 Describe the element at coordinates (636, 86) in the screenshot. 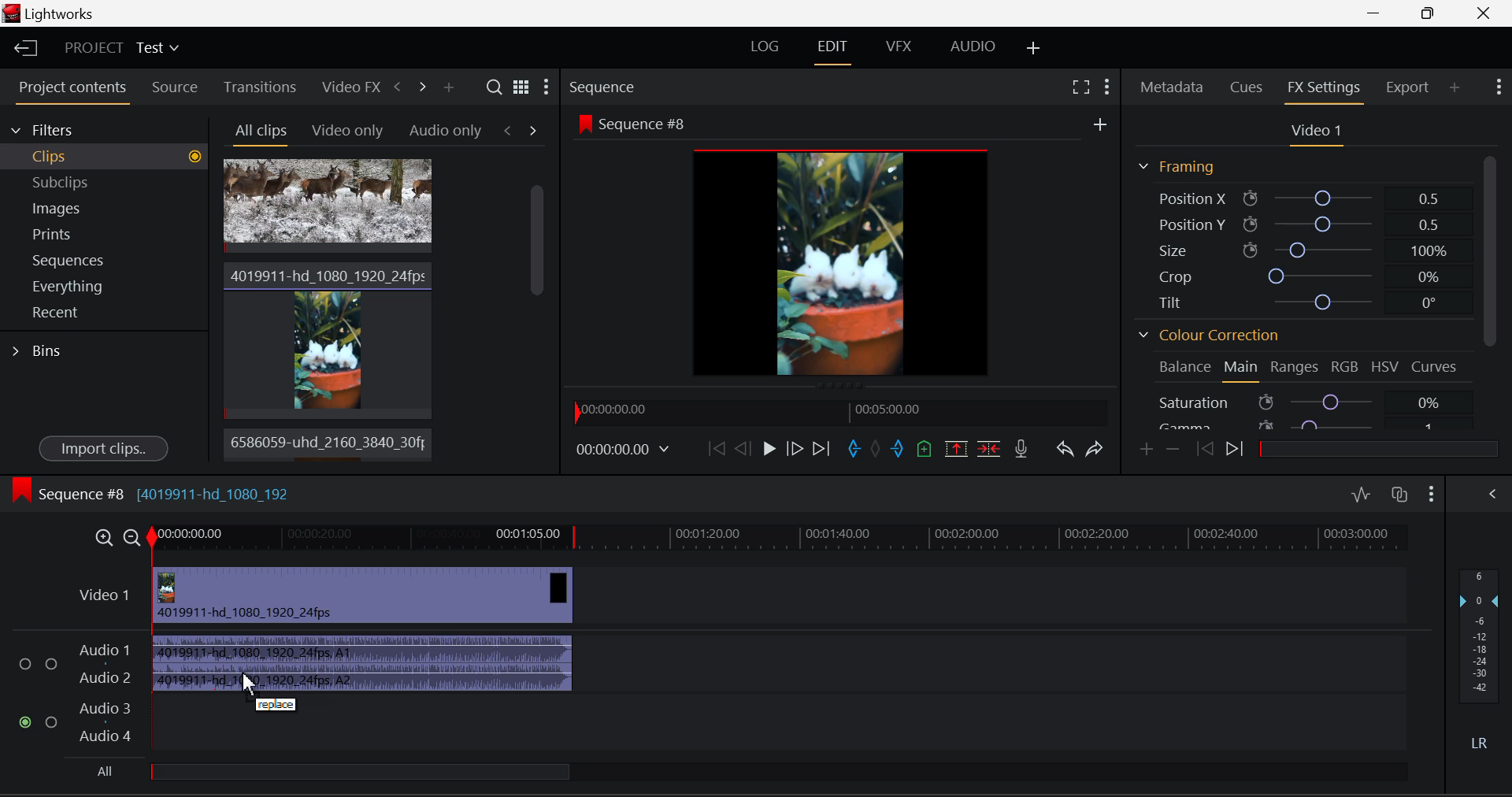

I see `Sequence Preview Section` at that location.